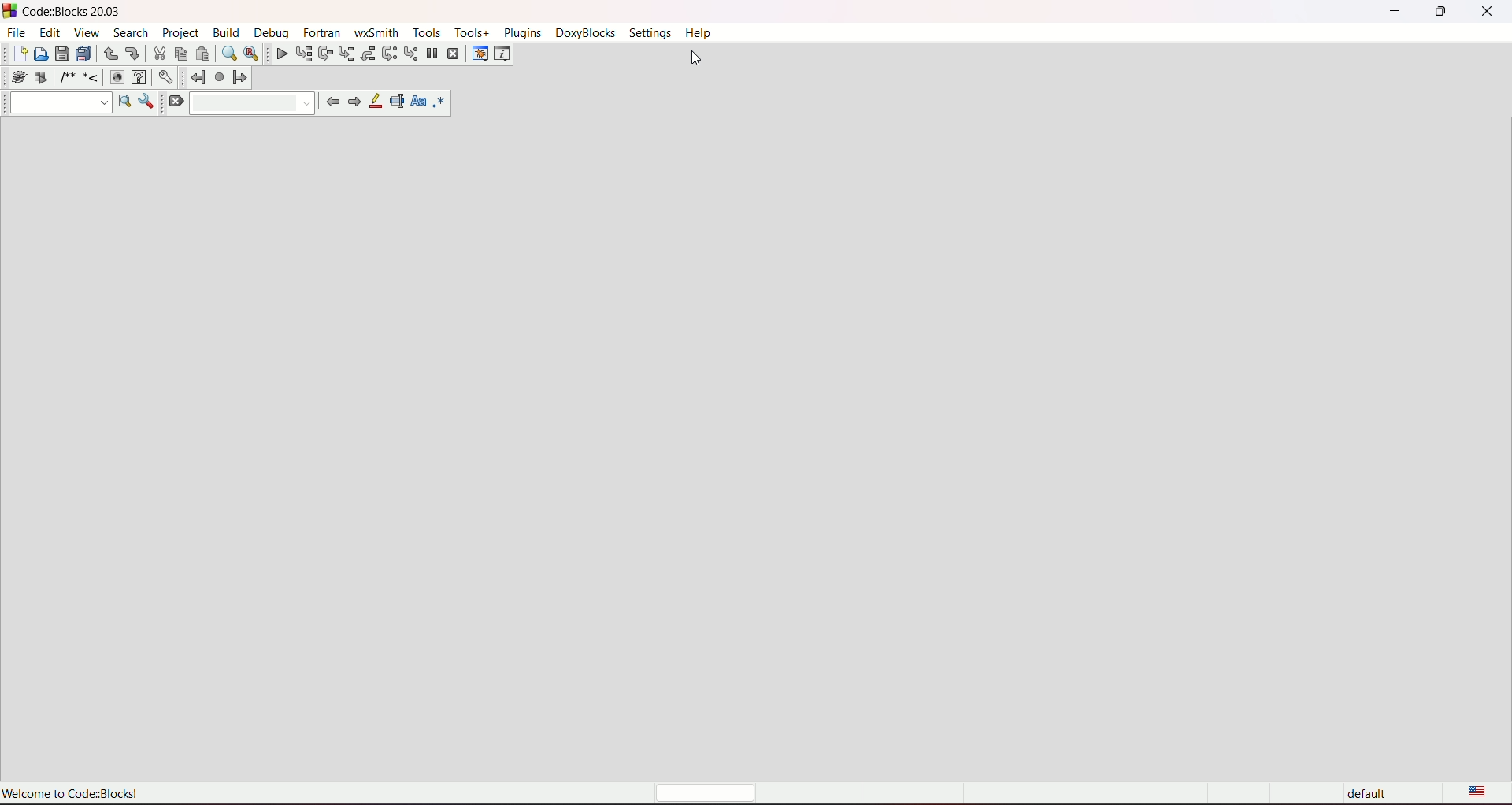 The image size is (1512, 805). I want to click on last lump, so click(220, 77).